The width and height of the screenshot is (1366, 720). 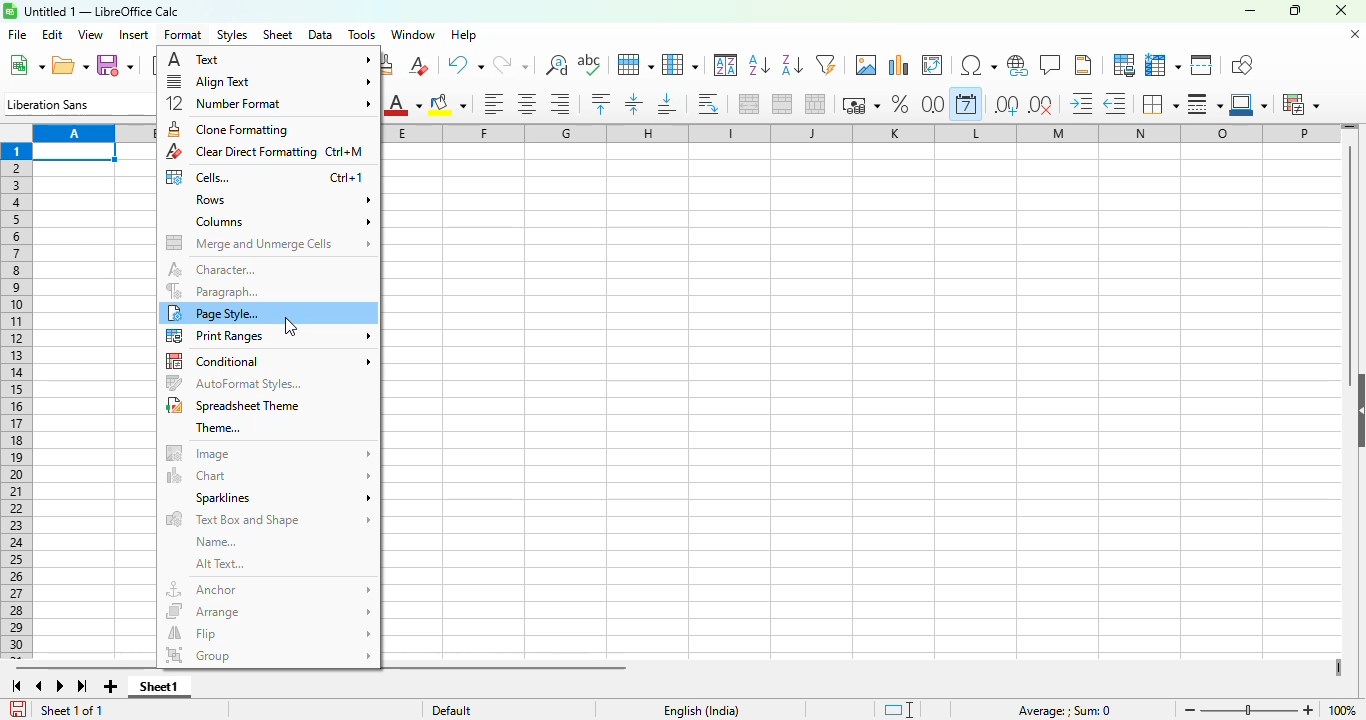 What do you see at coordinates (78, 103) in the screenshot?
I see `font name` at bounding box center [78, 103].